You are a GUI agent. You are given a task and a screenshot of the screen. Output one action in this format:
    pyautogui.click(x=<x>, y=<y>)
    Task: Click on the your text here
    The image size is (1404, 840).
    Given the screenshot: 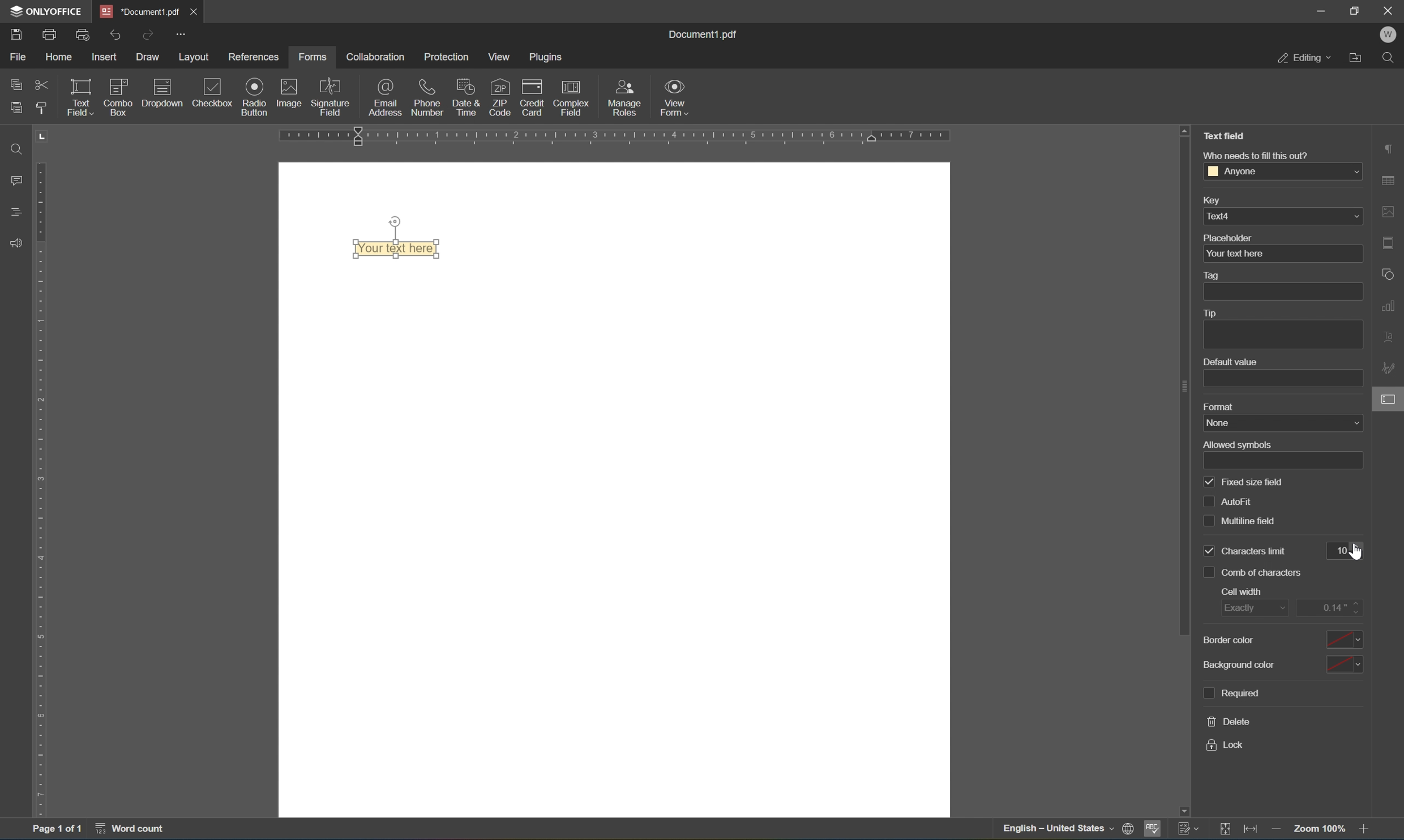 What is the action you would take?
    pyautogui.click(x=1282, y=254)
    